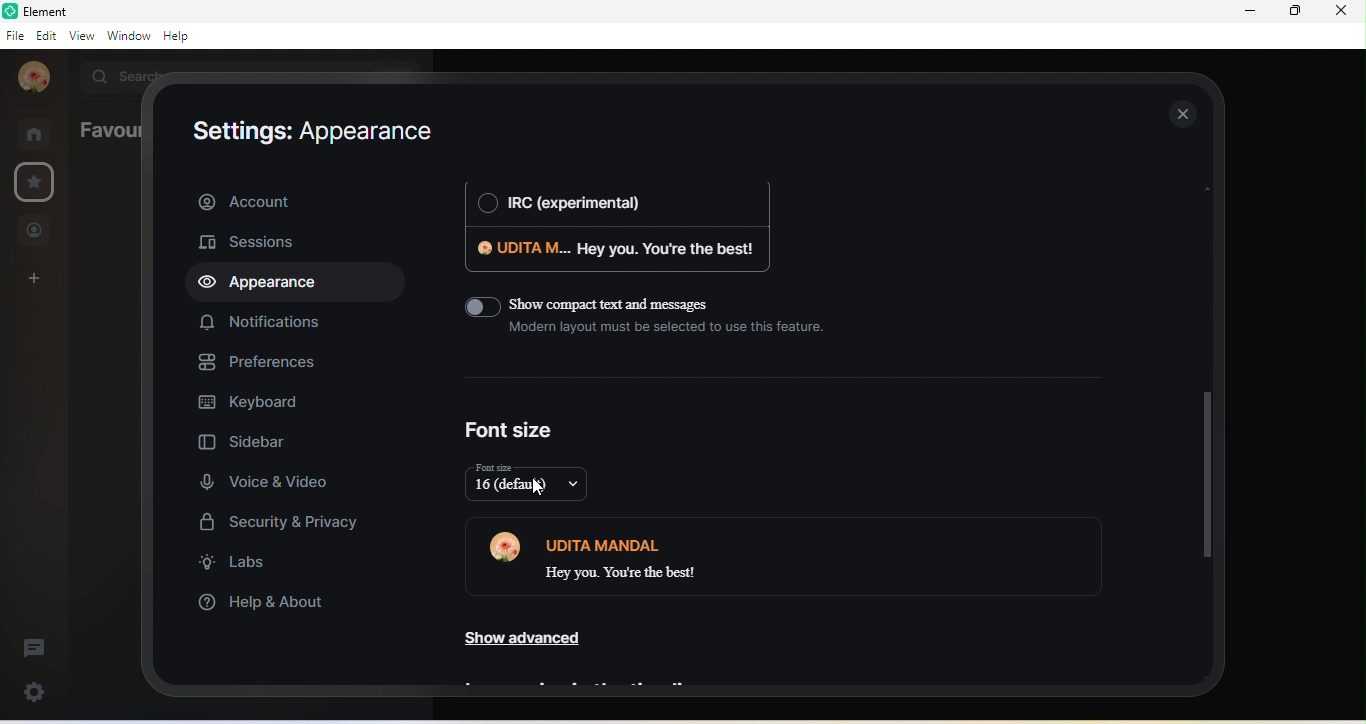  I want to click on sessions, so click(250, 243).